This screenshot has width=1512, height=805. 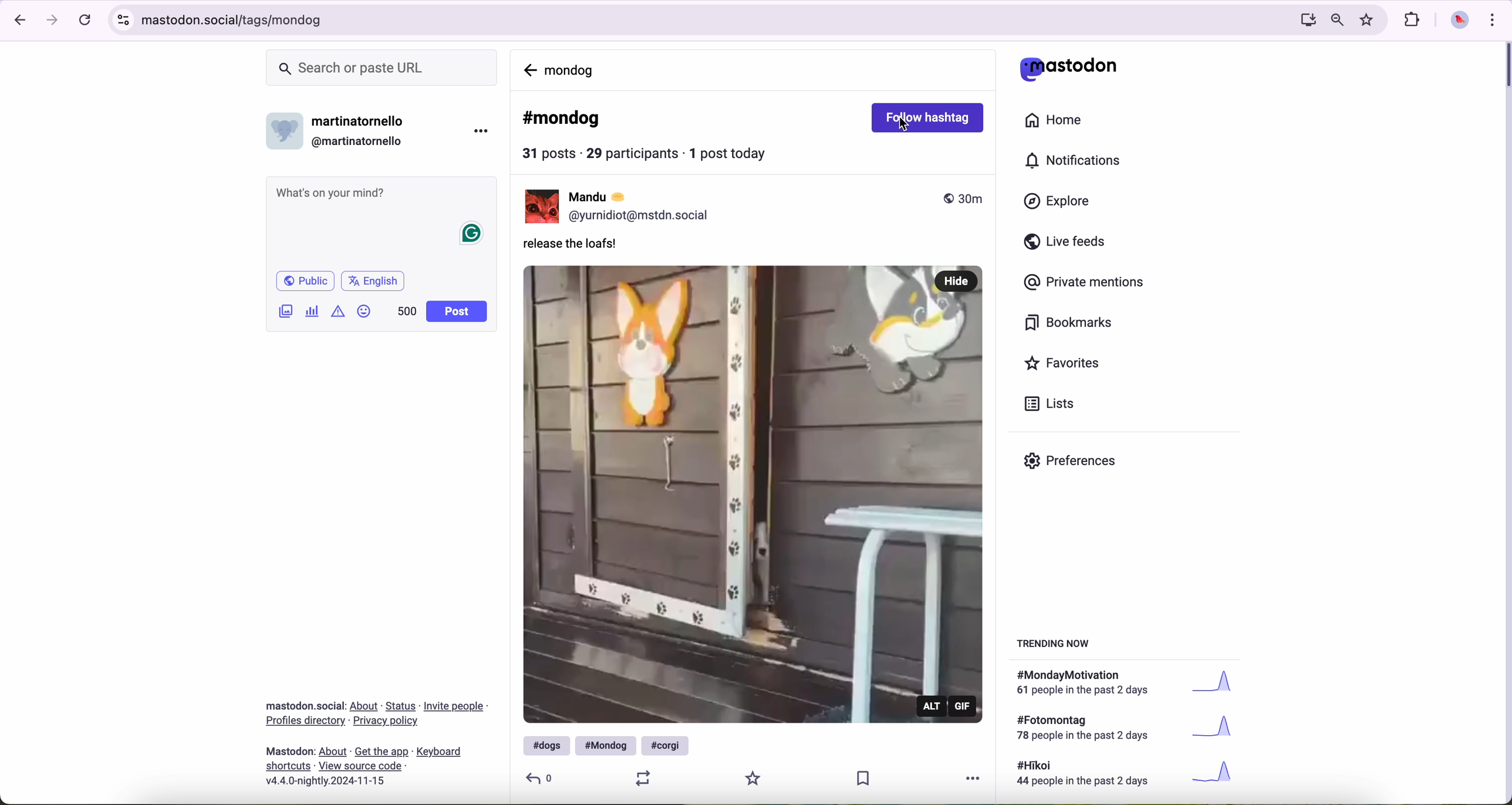 I want to click on graph, so click(x=1221, y=685).